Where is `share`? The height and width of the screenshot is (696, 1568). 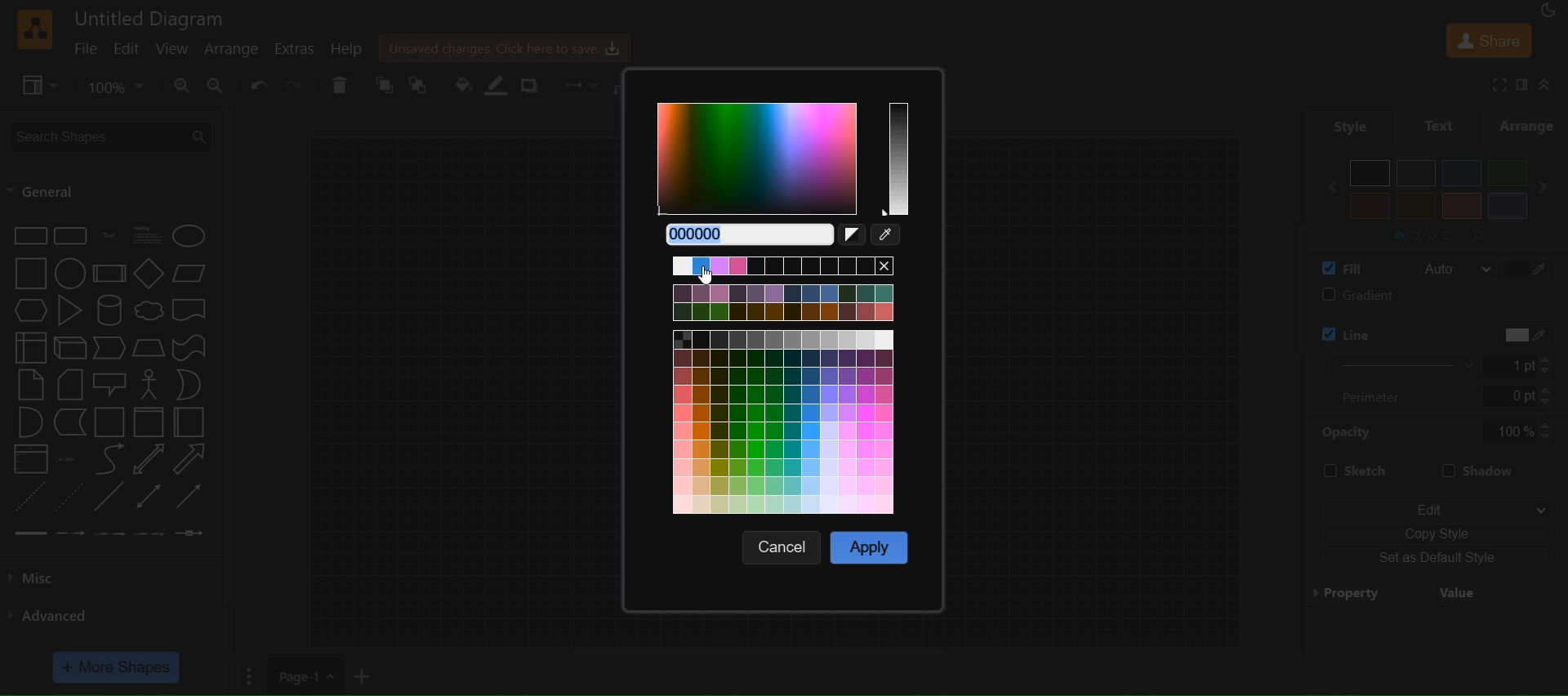 share is located at coordinates (1488, 39).